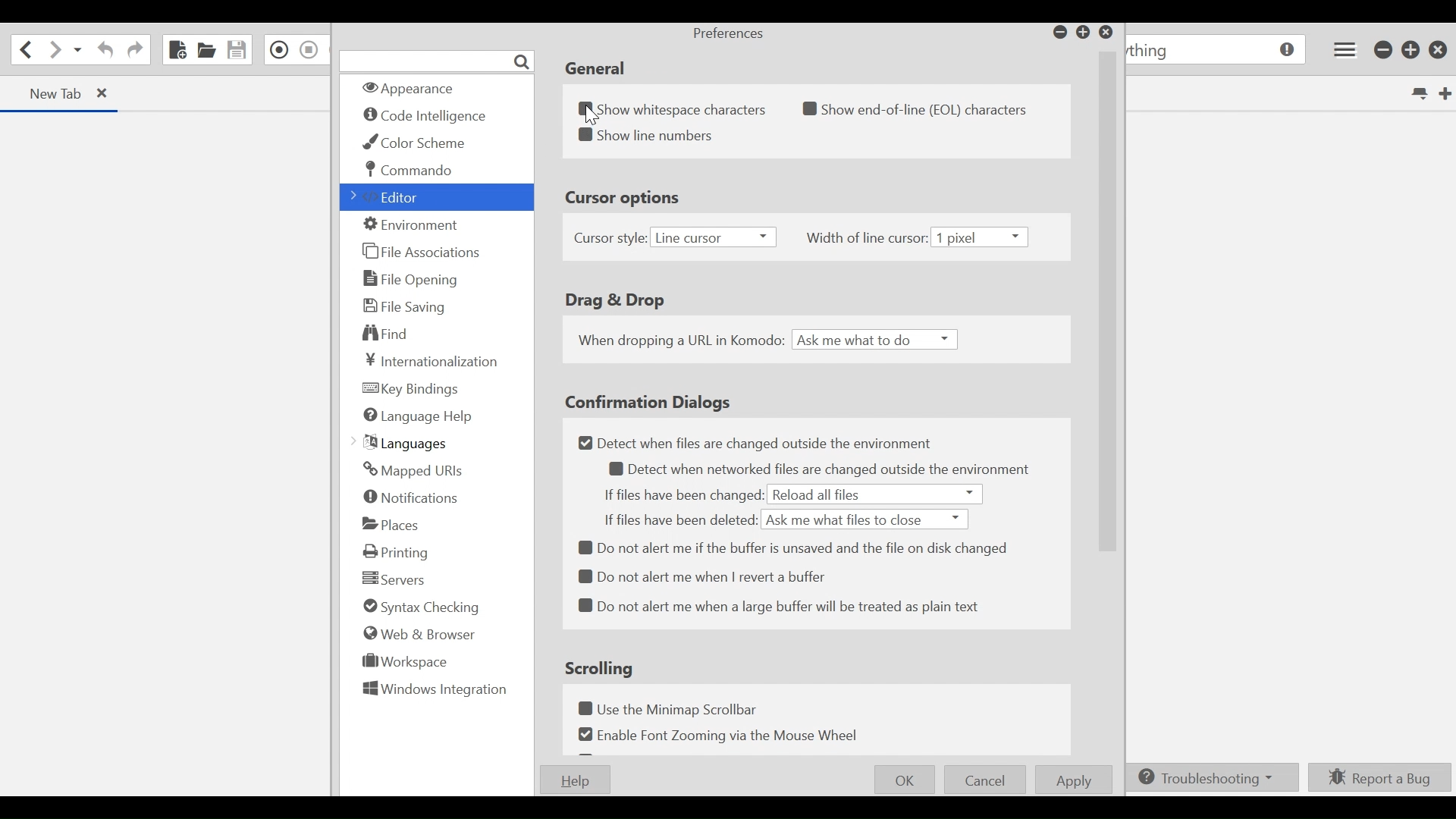 This screenshot has width=1456, height=819. What do you see at coordinates (438, 59) in the screenshot?
I see `Search` at bounding box center [438, 59].